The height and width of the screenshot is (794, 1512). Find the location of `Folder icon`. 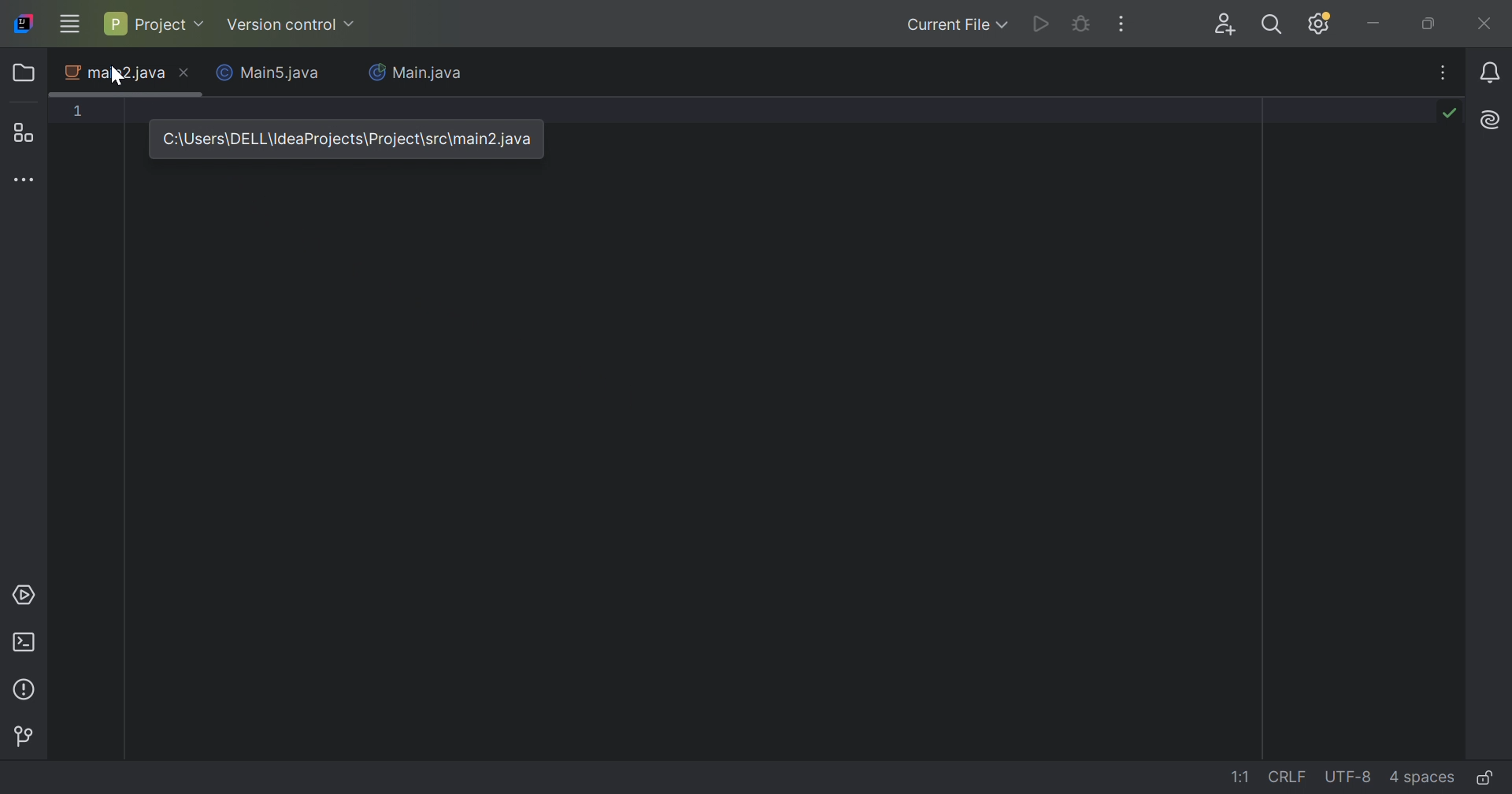

Folder icon is located at coordinates (26, 72).